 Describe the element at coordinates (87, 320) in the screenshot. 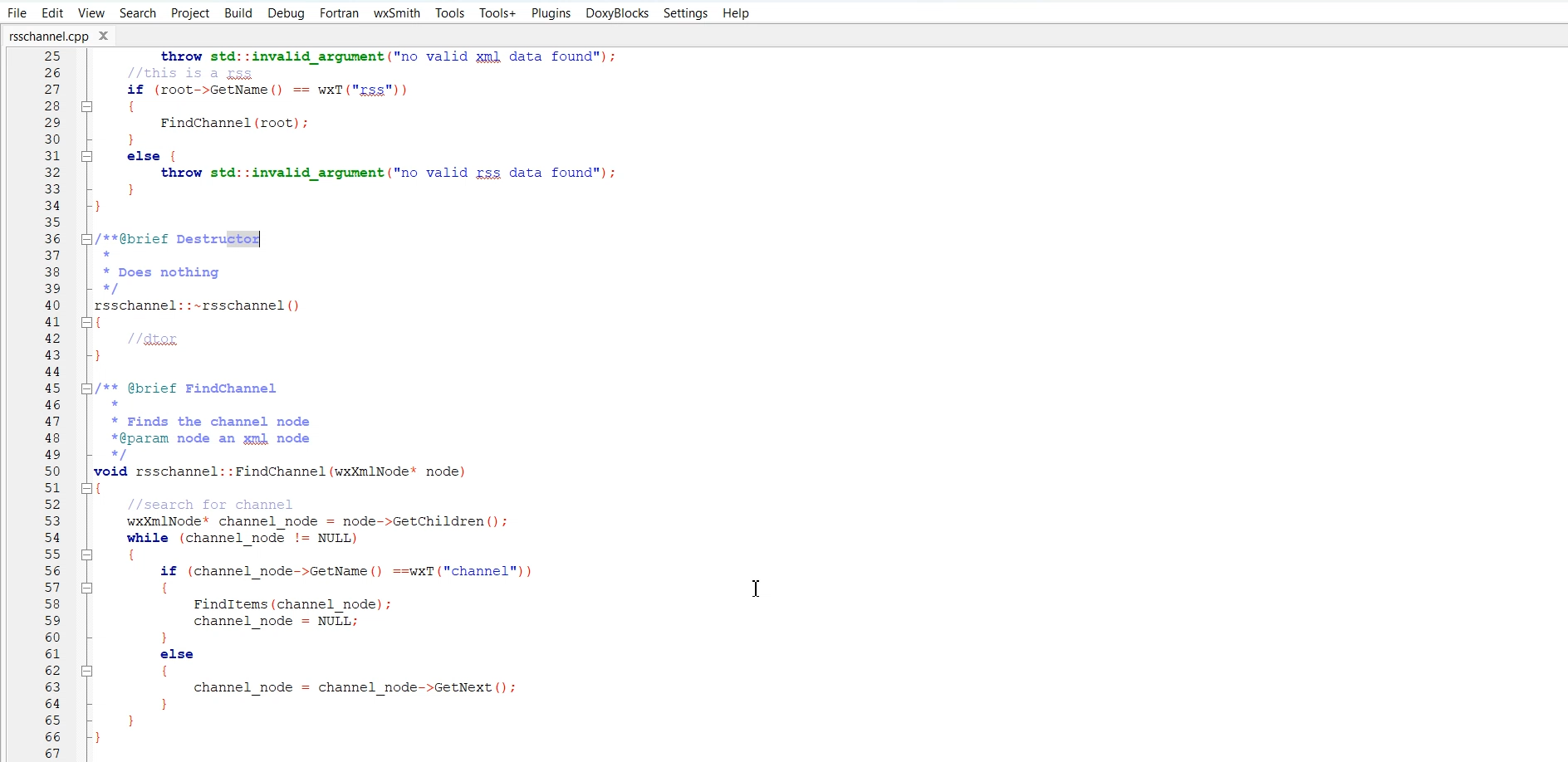

I see `Collapse` at that location.